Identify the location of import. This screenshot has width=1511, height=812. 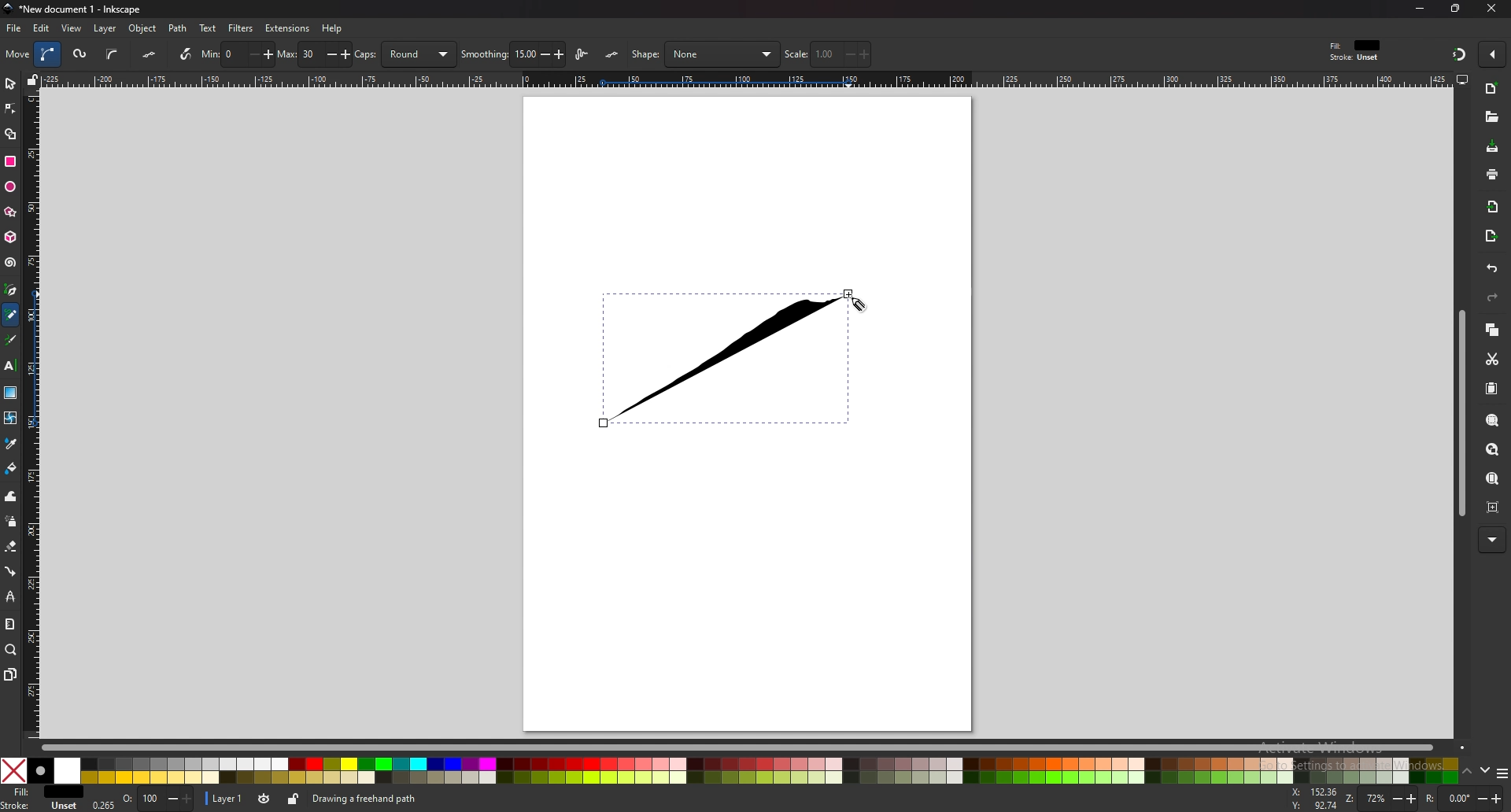
(1493, 206).